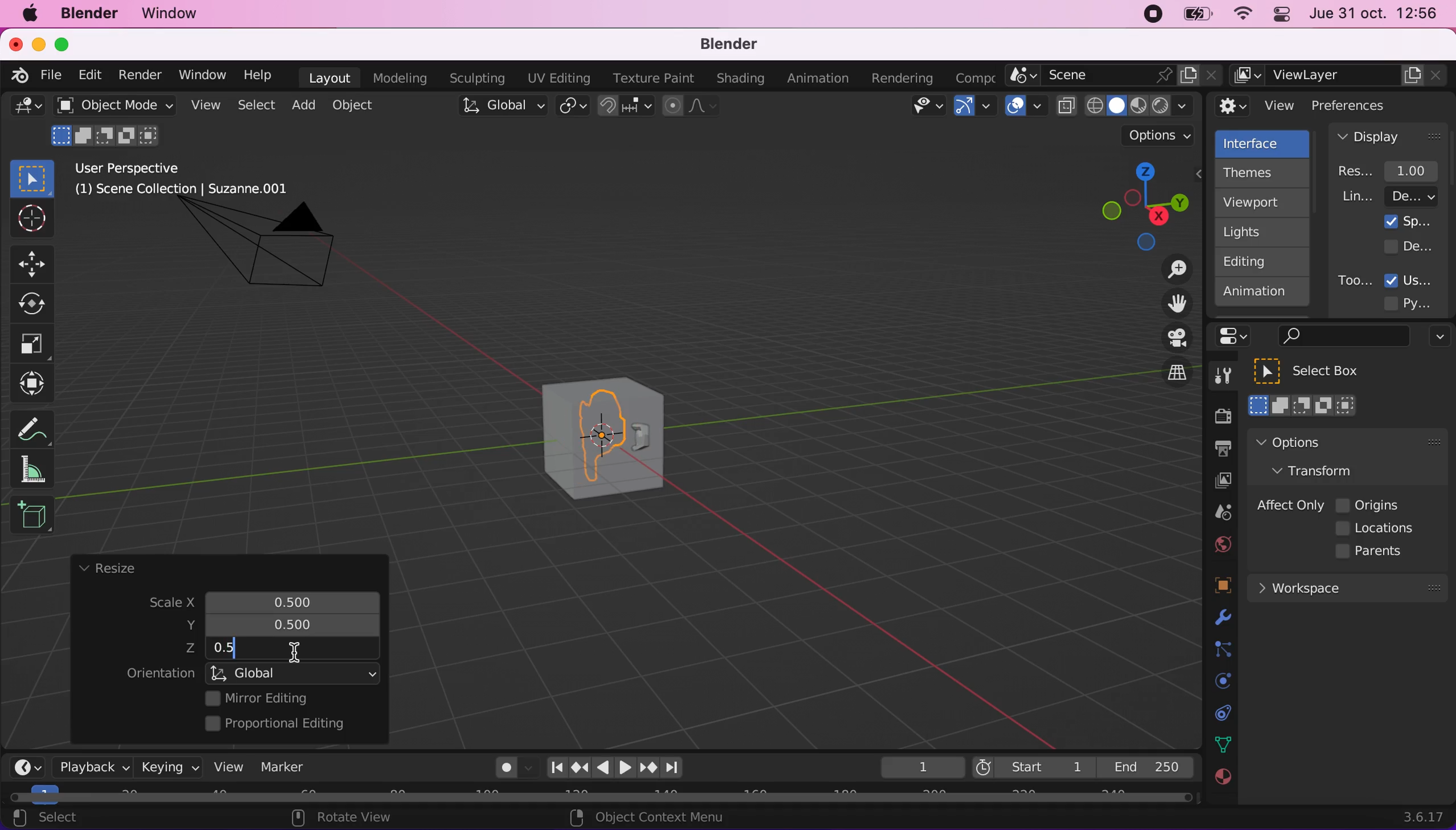 This screenshot has height=830, width=1456. I want to click on file, so click(49, 75).